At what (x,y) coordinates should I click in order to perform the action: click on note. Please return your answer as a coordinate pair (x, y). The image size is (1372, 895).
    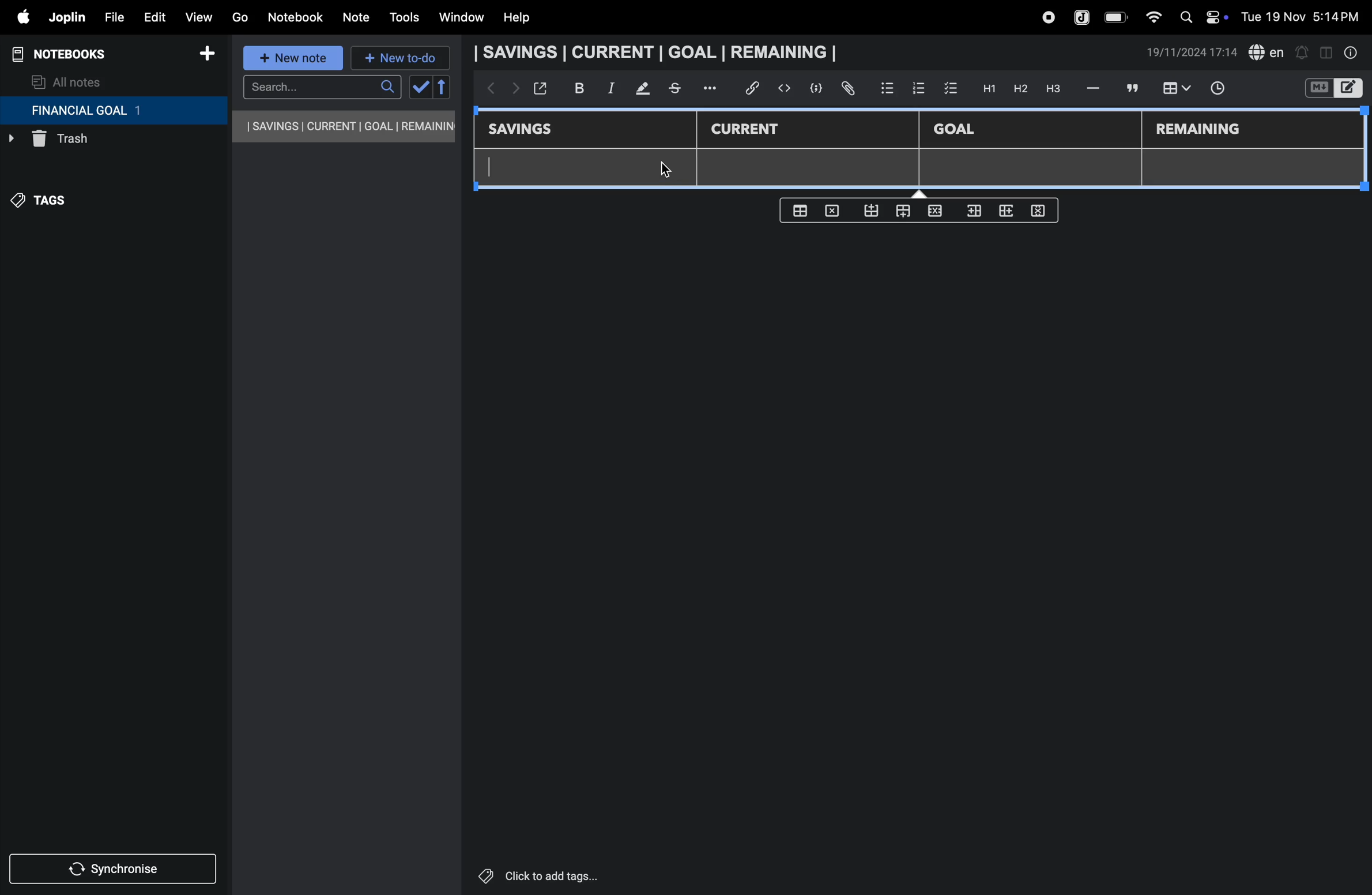
    Looking at the image, I should click on (358, 18).